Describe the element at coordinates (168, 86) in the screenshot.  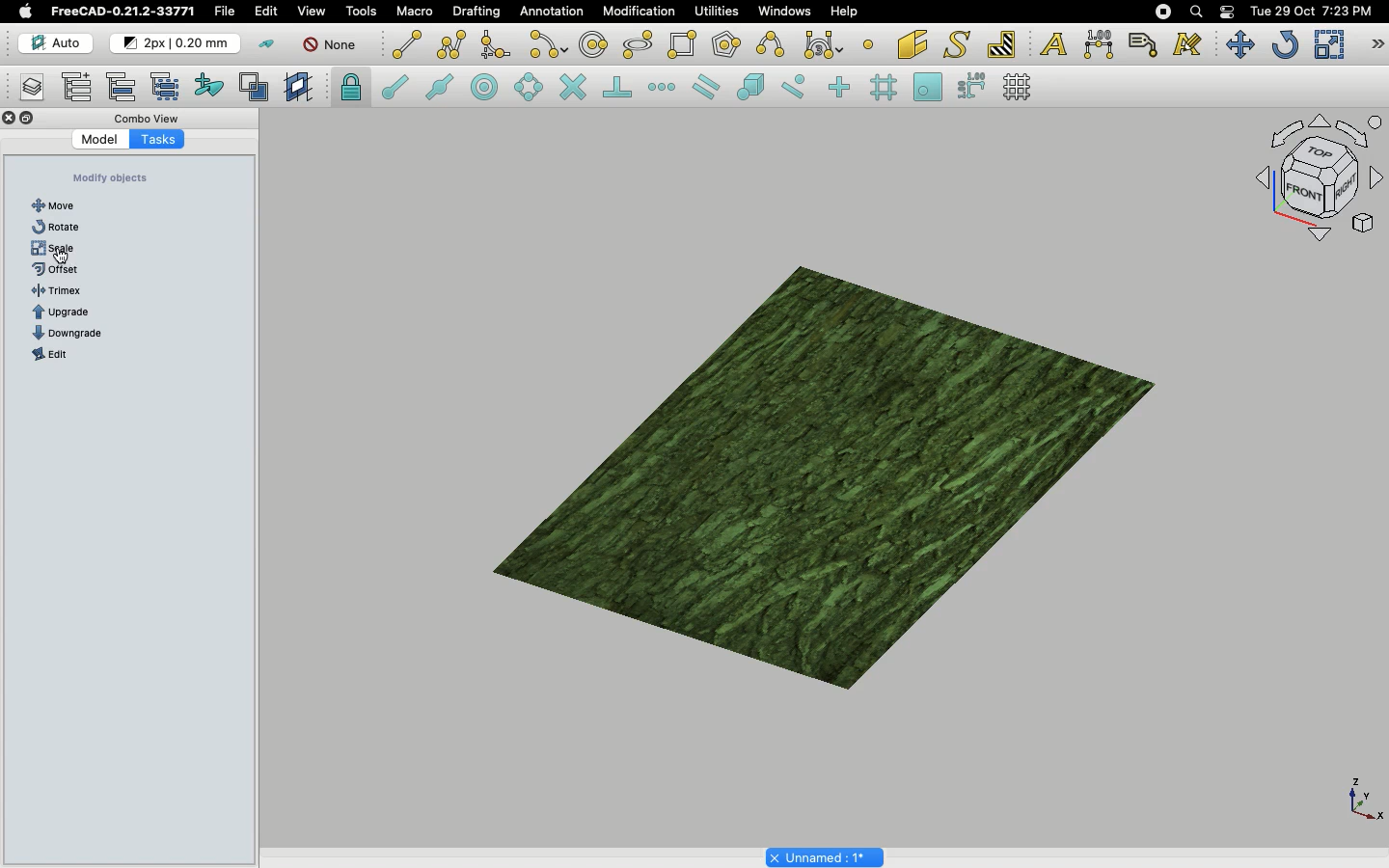
I see `Select group` at that location.